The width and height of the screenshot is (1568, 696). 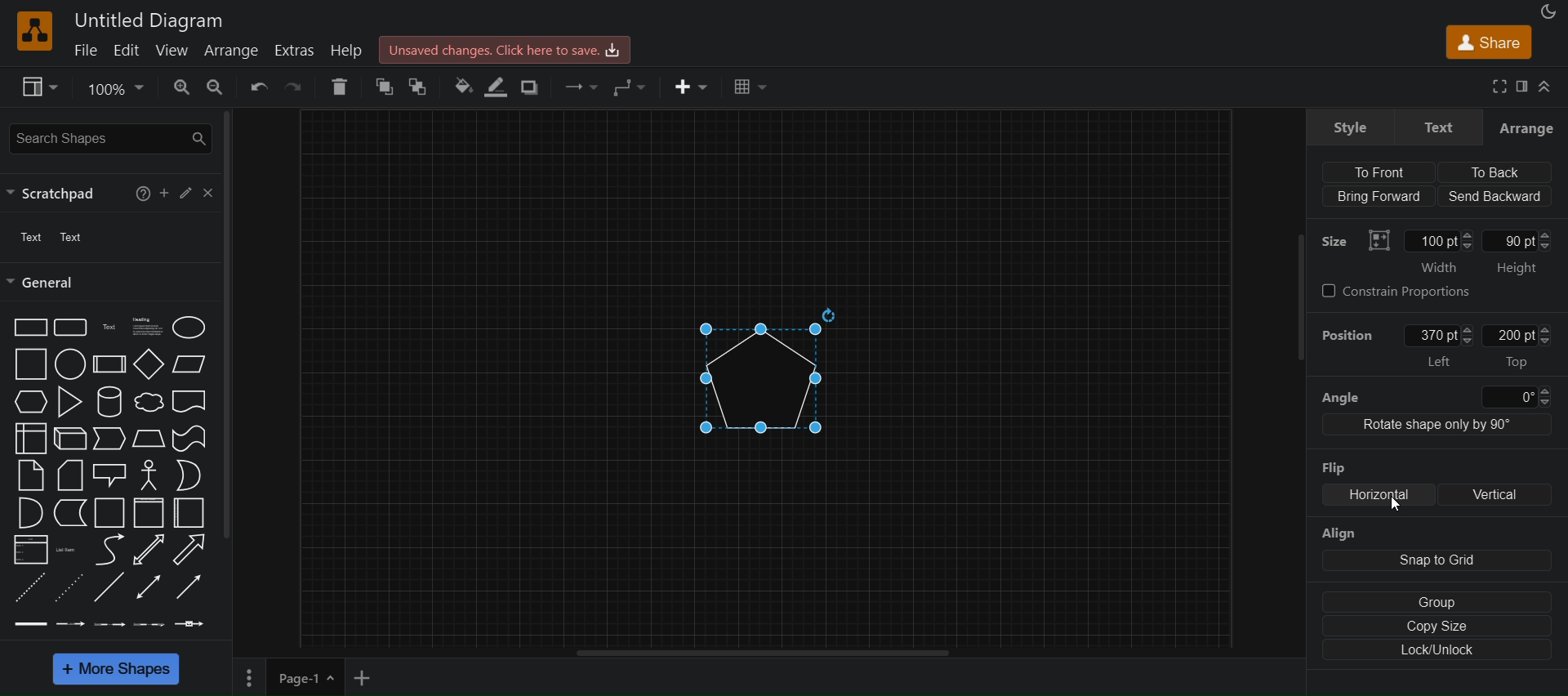 What do you see at coordinates (189, 513) in the screenshot?
I see `Horizontal container` at bounding box center [189, 513].